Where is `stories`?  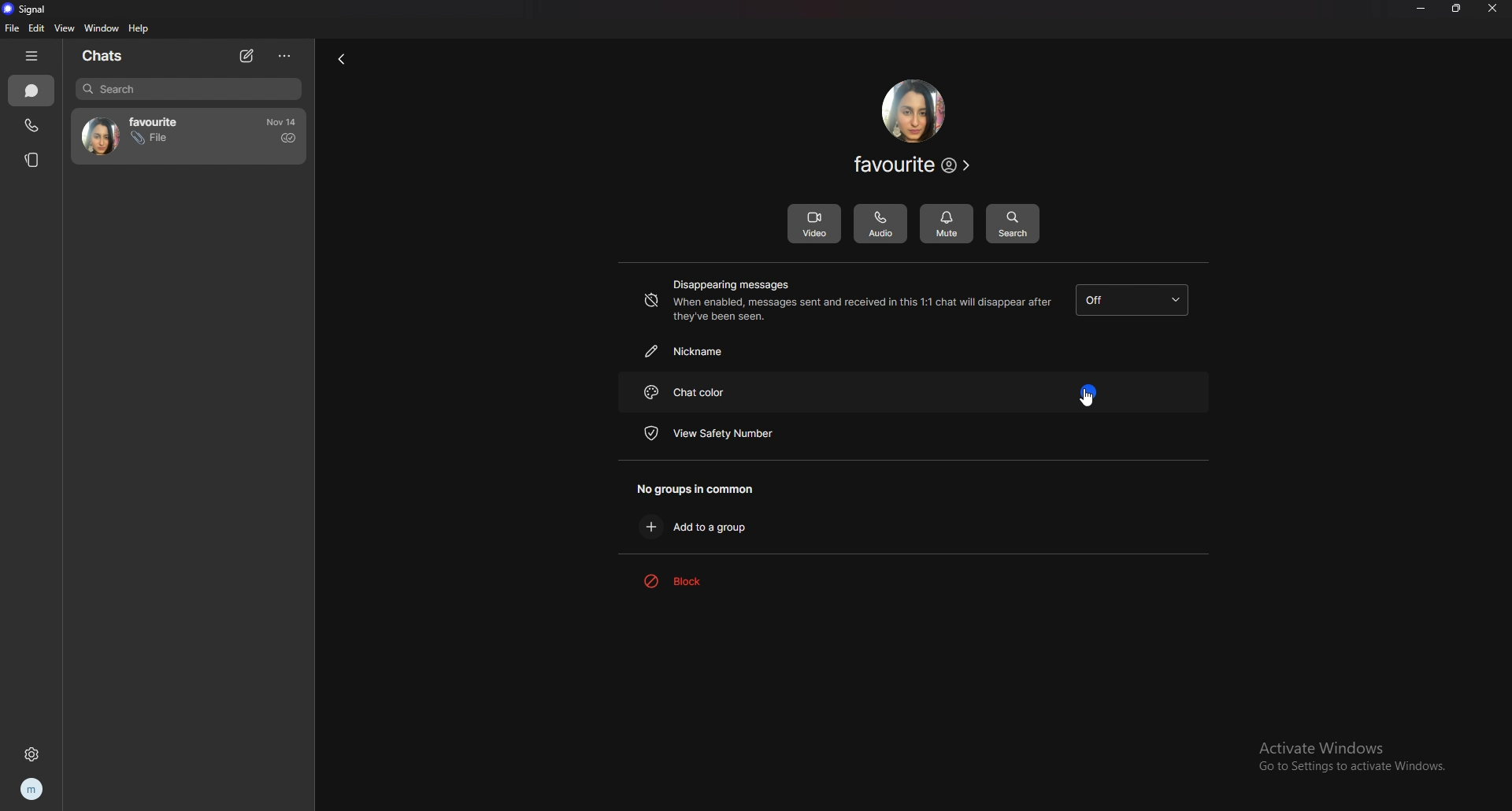
stories is located at coordinates (33, 158).